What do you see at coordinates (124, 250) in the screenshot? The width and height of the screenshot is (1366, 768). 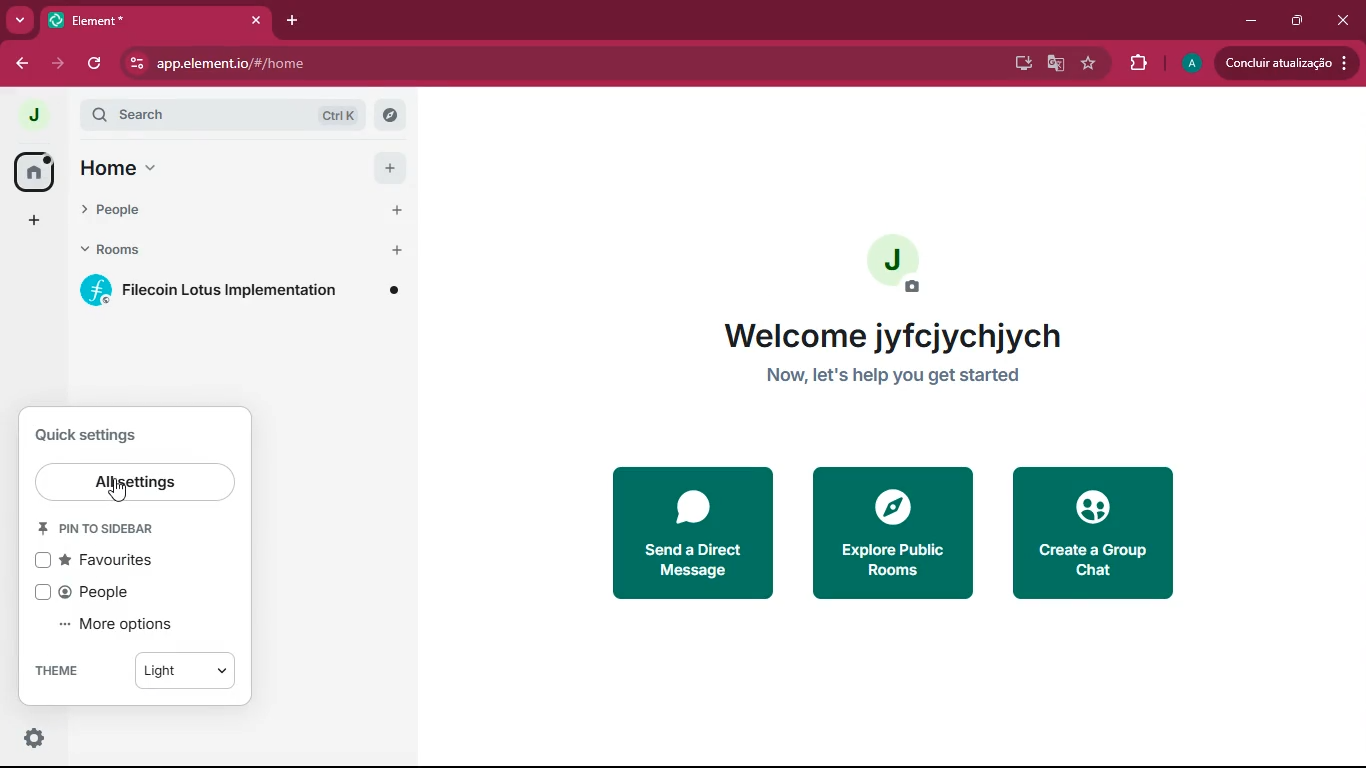 I see `rooms` at bounding box center [124, 250].